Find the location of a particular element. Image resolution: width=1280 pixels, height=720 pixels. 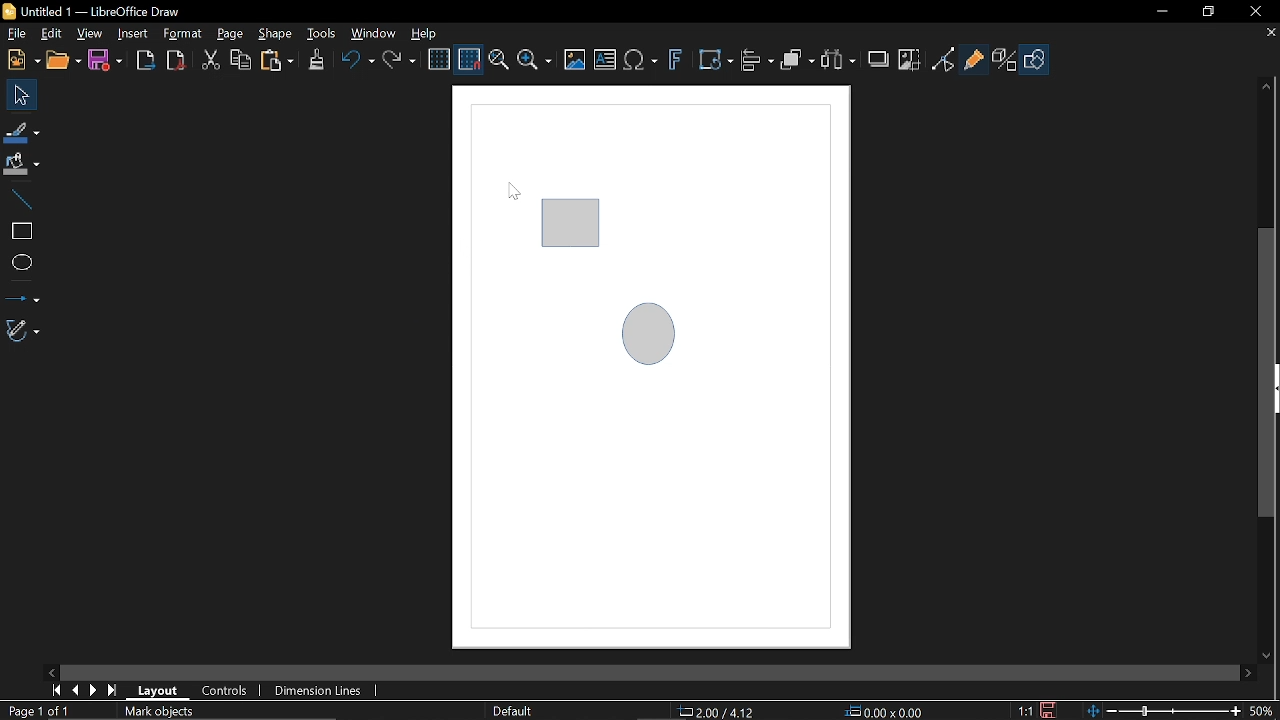

Current diagram is located at coordinates (597, 287).